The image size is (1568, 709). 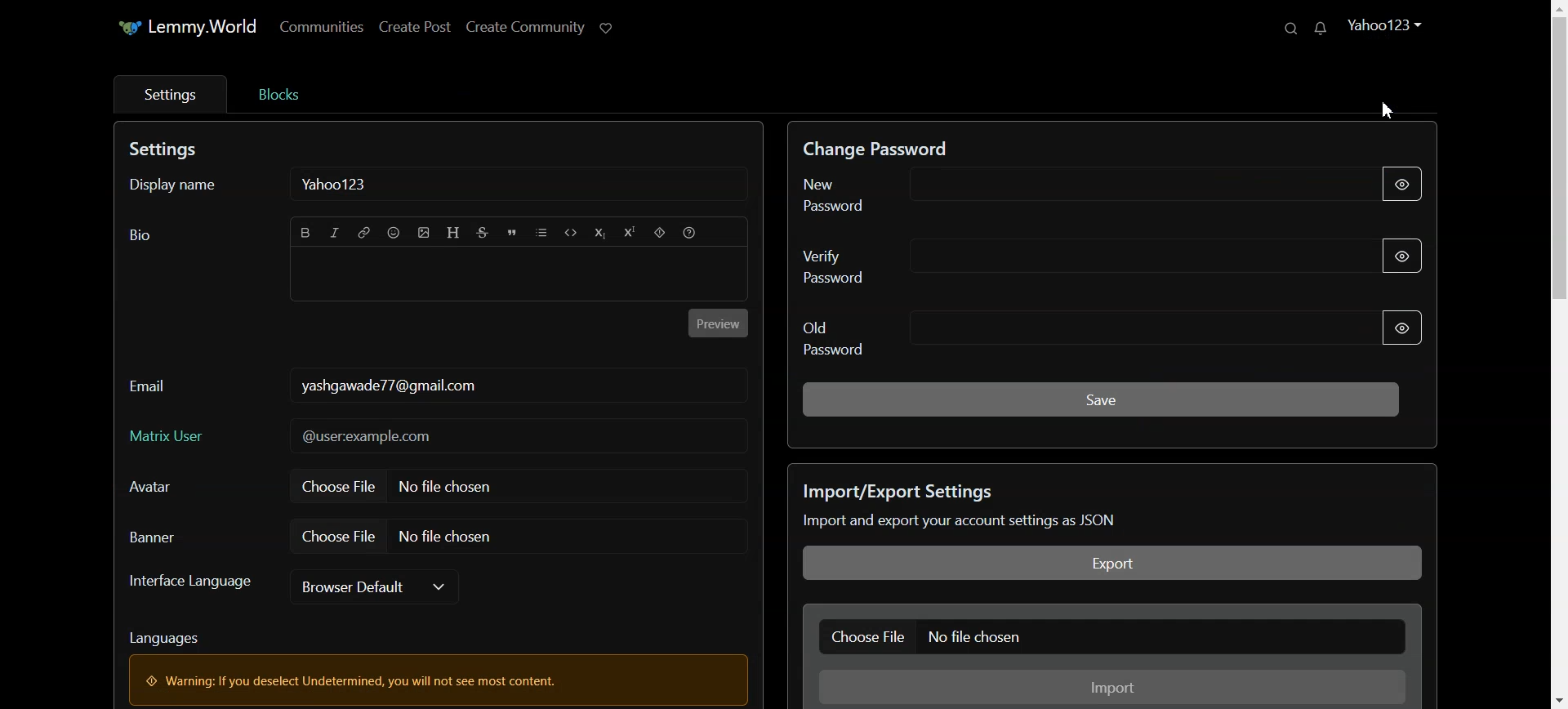 I want to click on Avatar, so click(x=155, y=486).